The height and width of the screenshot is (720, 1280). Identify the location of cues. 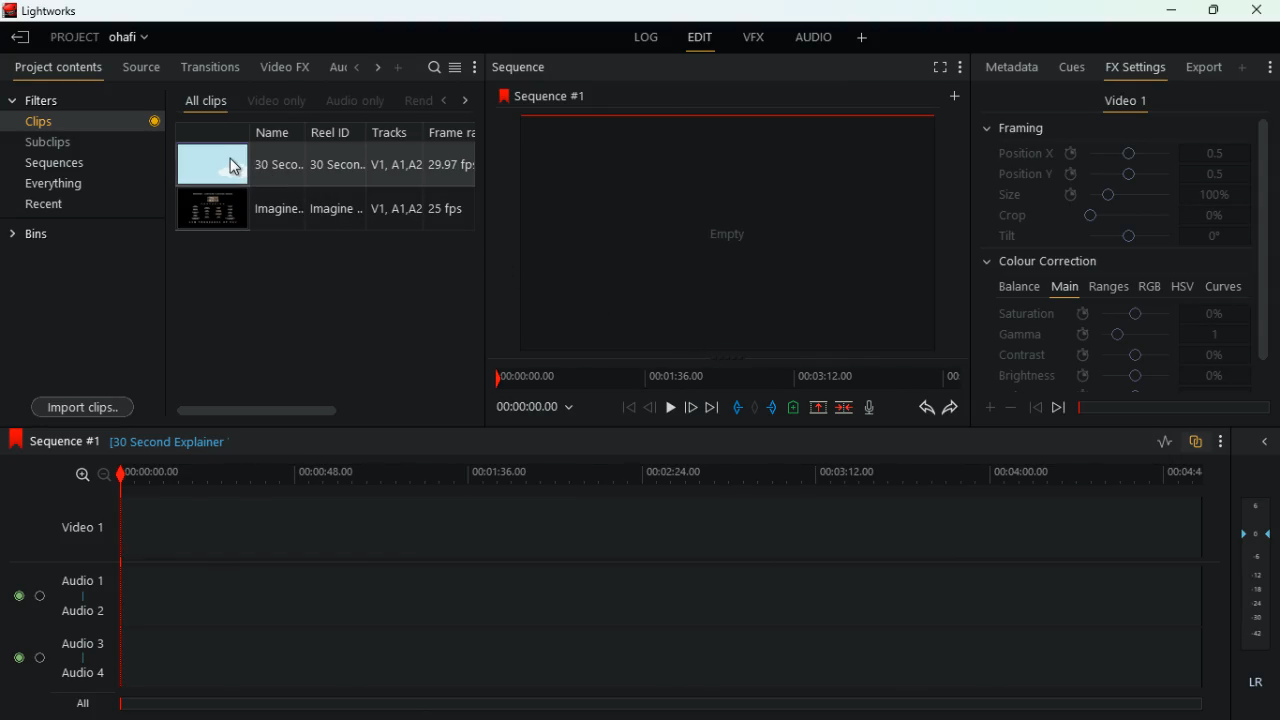
(1073, 67).